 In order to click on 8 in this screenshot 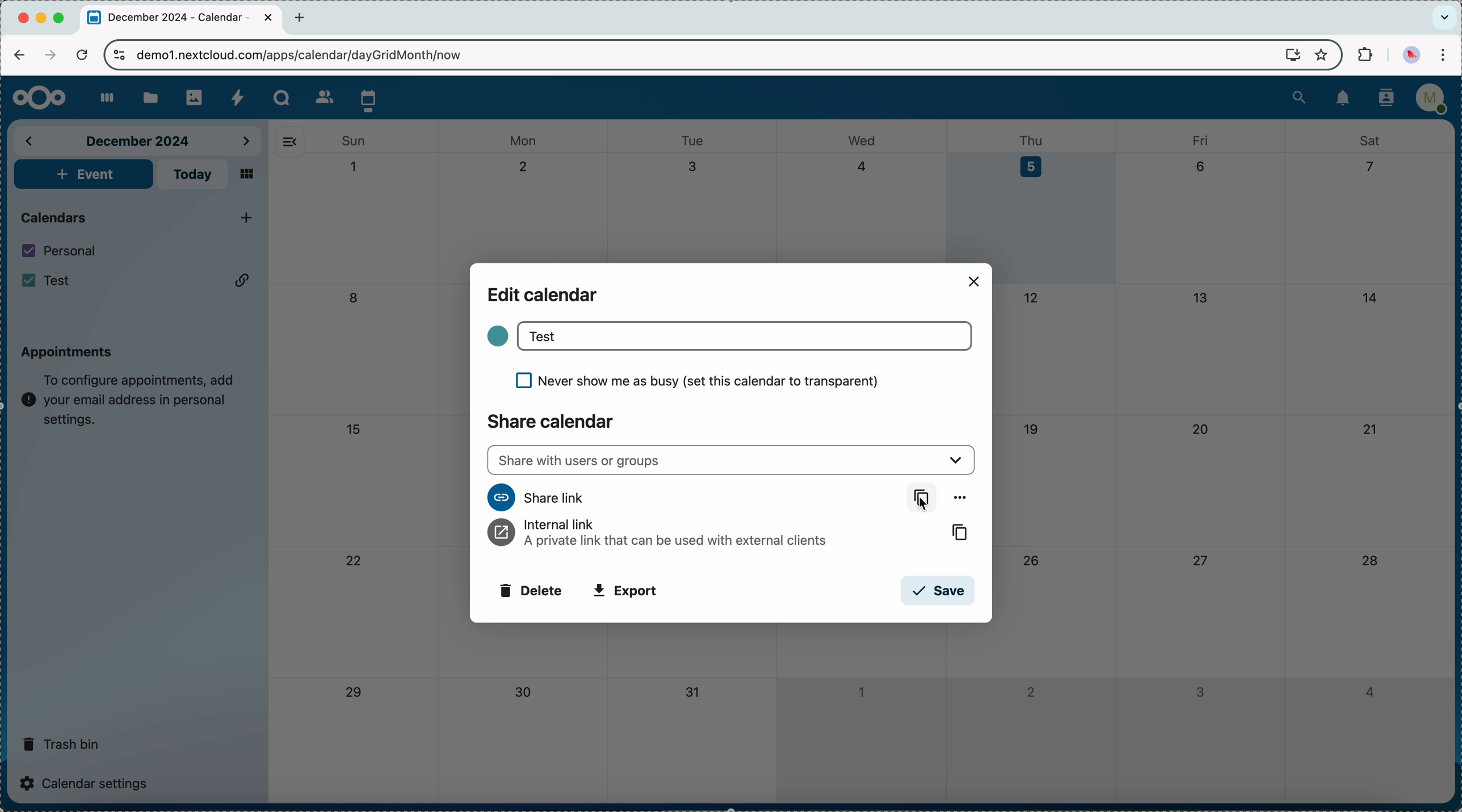, I will do `click(354, 299)`.